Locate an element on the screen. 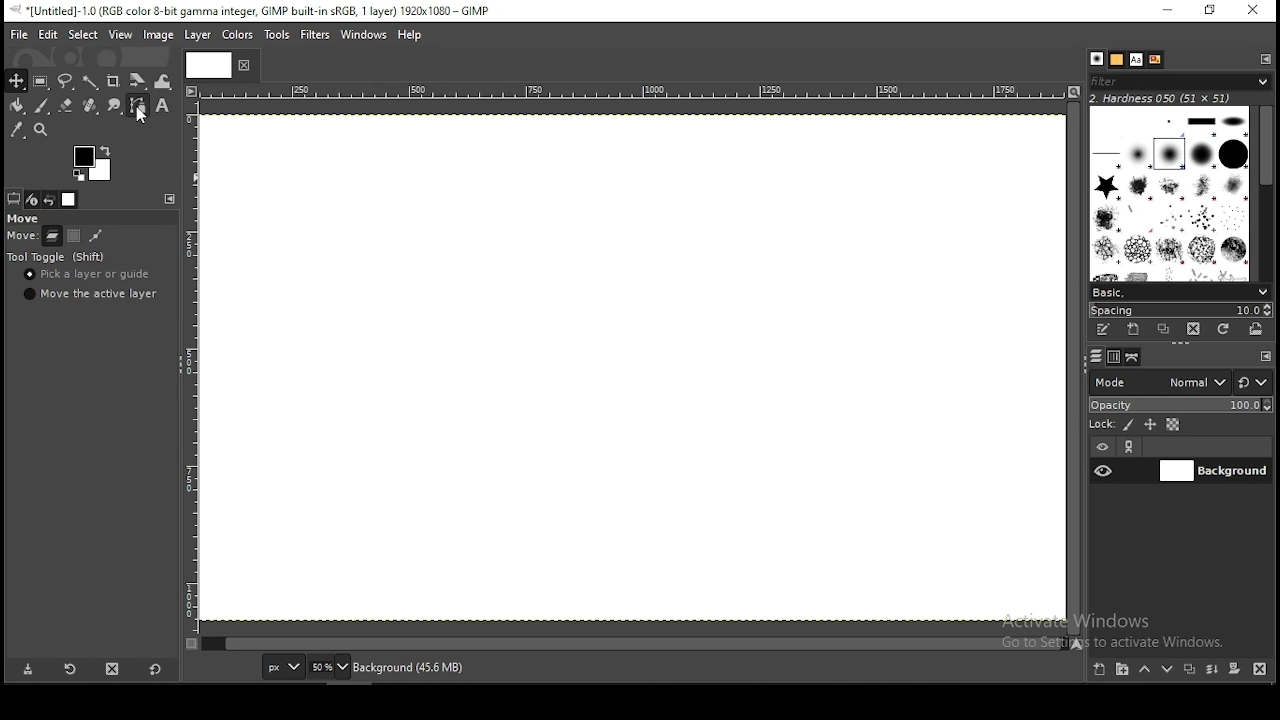  smudge tool is located at coordinates (115, 106).